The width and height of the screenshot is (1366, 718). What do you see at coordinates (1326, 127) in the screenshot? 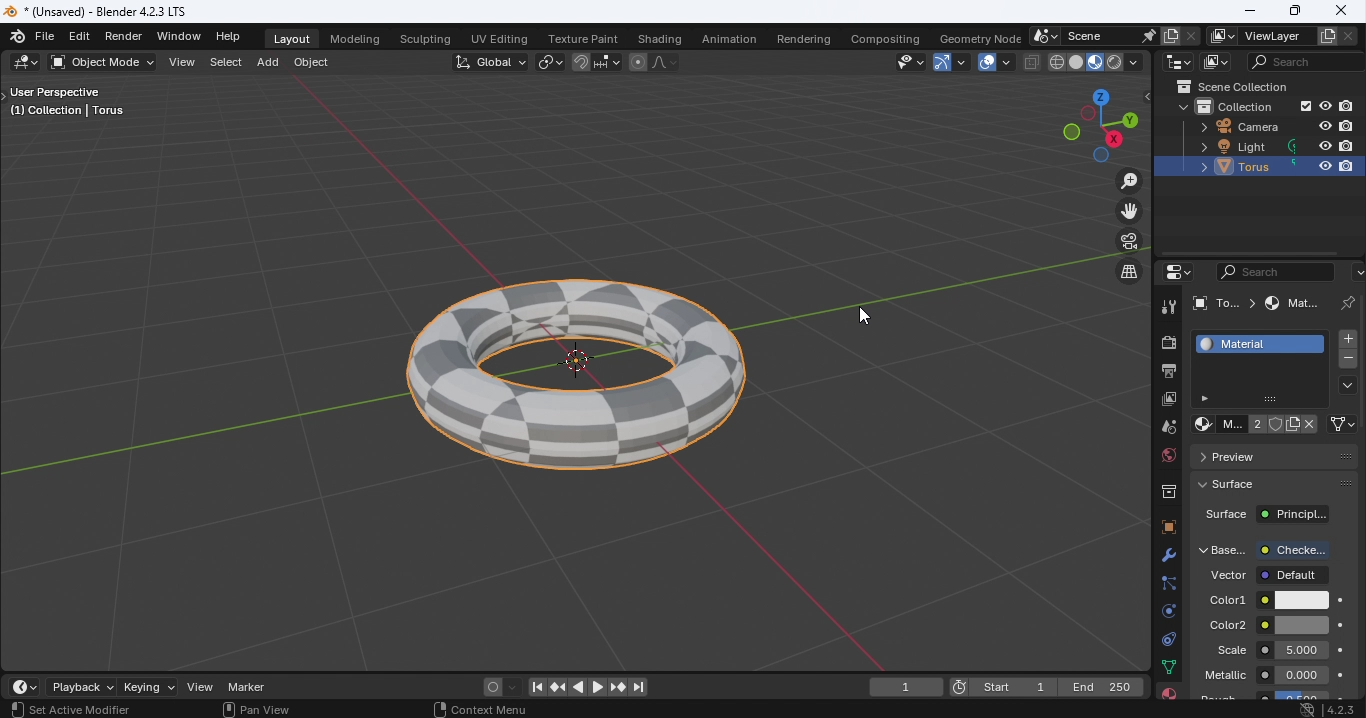
I see `Hide in viewpoint` at bounding box center [1326, 127].